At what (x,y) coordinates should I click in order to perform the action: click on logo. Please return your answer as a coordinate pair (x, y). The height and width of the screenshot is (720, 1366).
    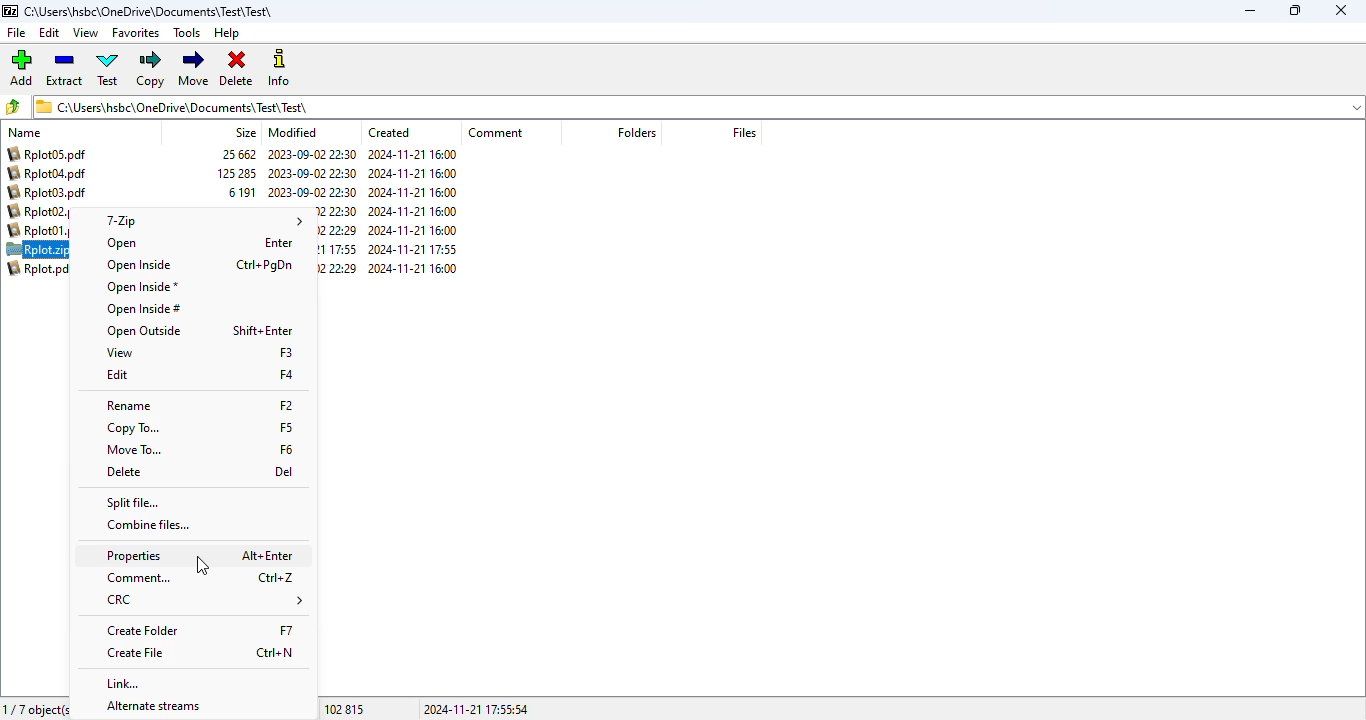
    Looking at the image, I should click on (10, 11).